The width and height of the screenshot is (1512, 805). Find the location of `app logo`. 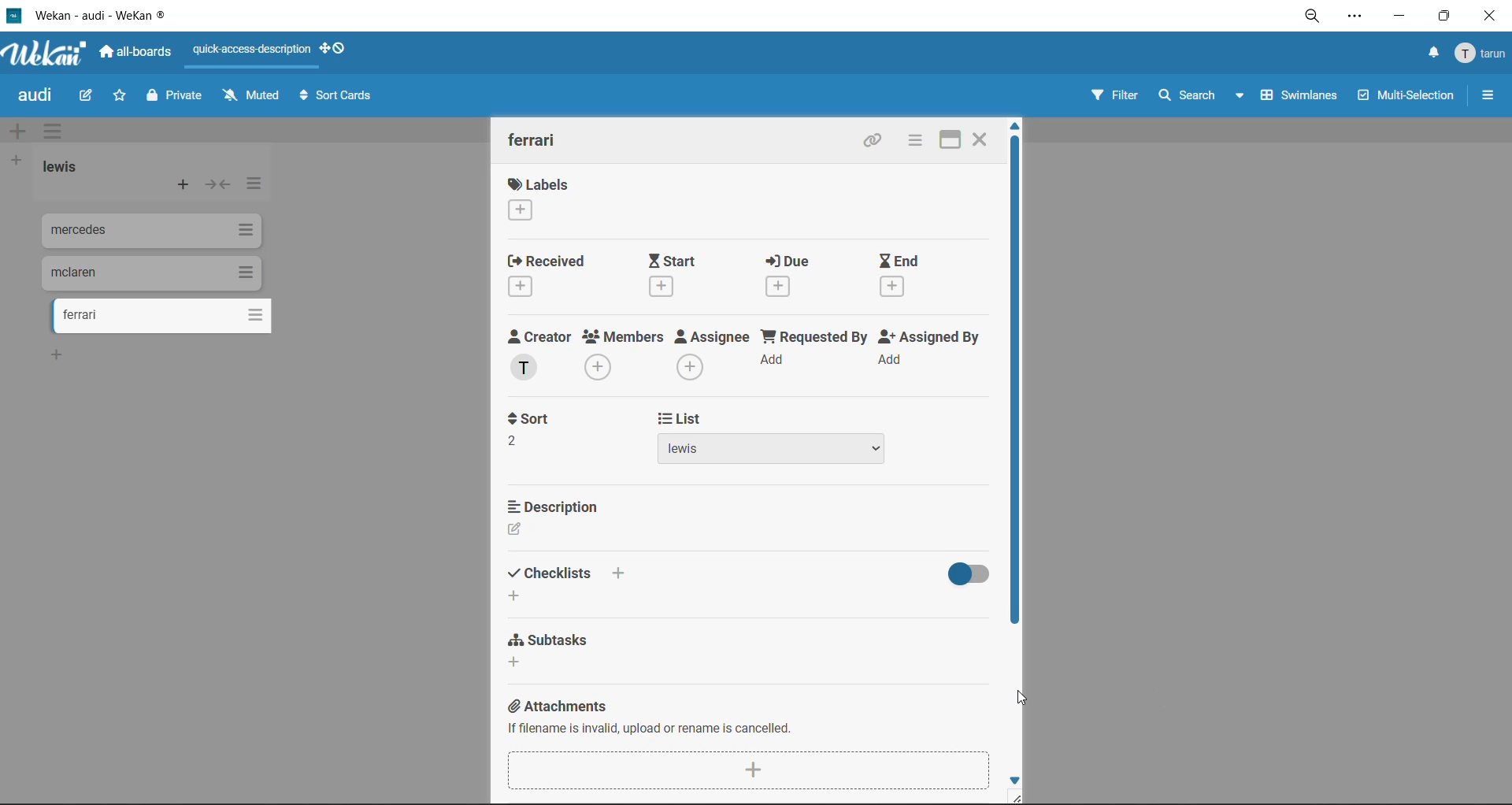

app logo is located at coordinates (53, 54).